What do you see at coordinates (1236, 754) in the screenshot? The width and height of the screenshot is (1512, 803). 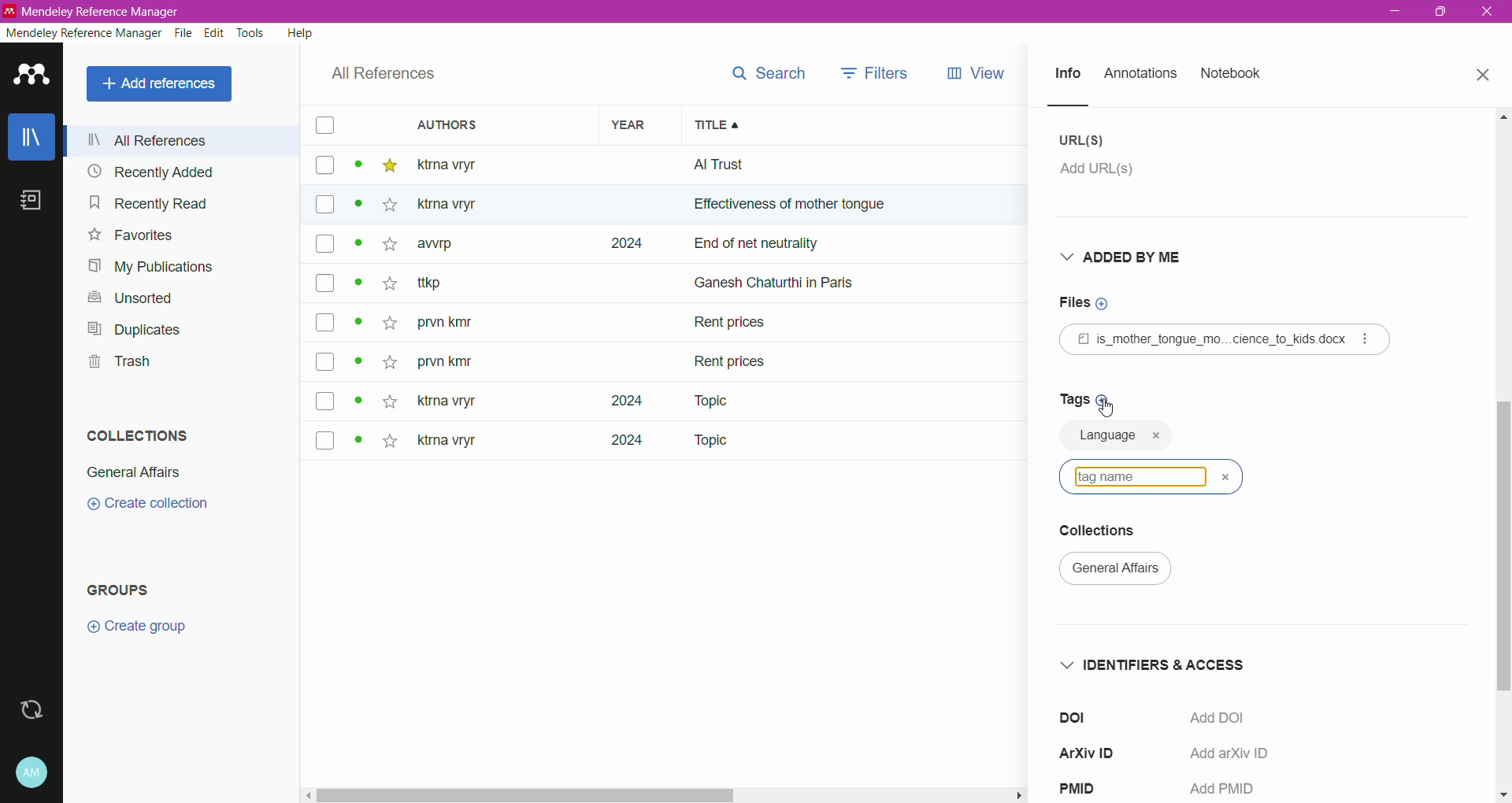 I see `Add arXiv ID` at bounding box center [1236, 754].